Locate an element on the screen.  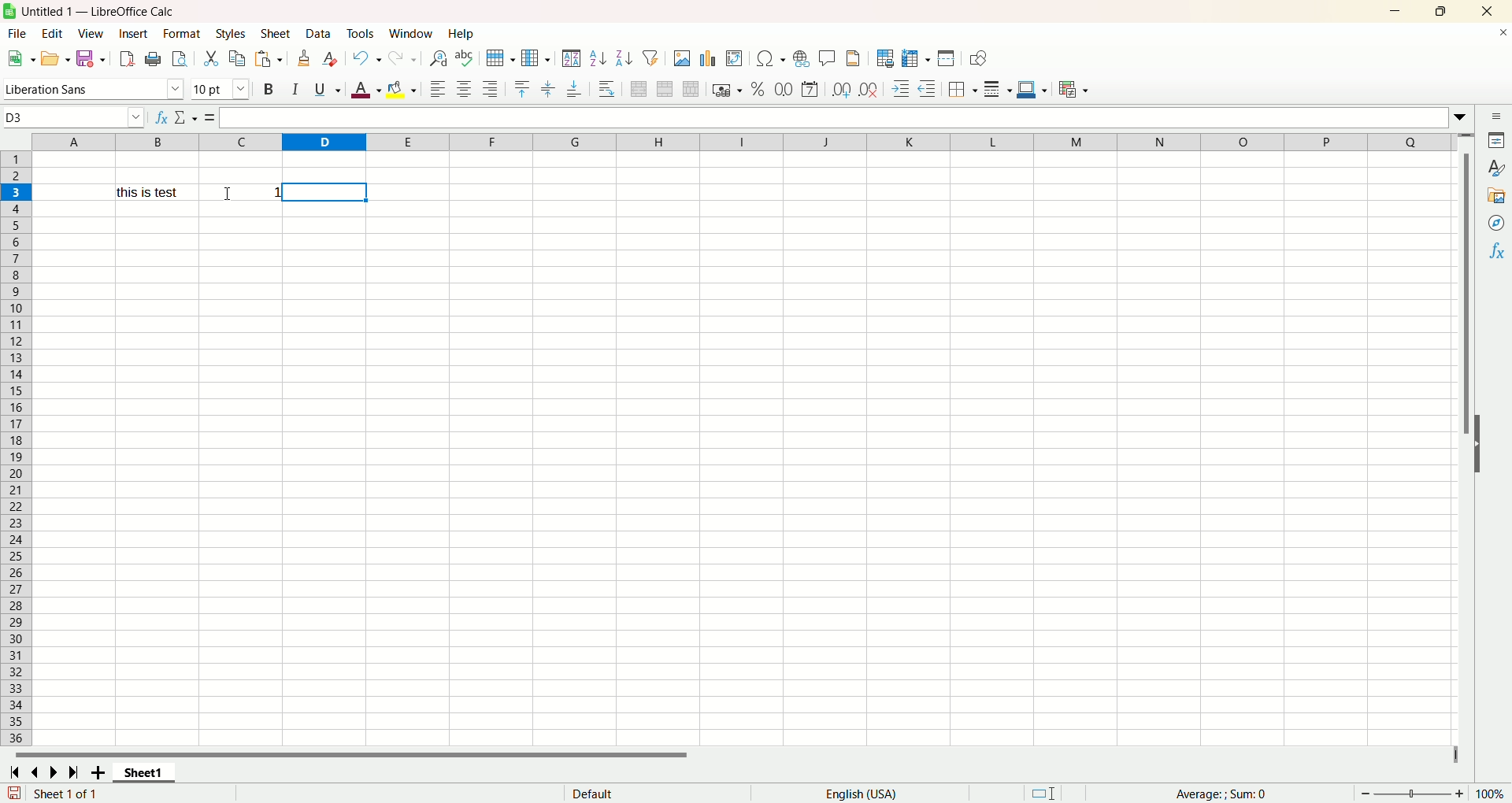
new is located at coordinates (20, 58).